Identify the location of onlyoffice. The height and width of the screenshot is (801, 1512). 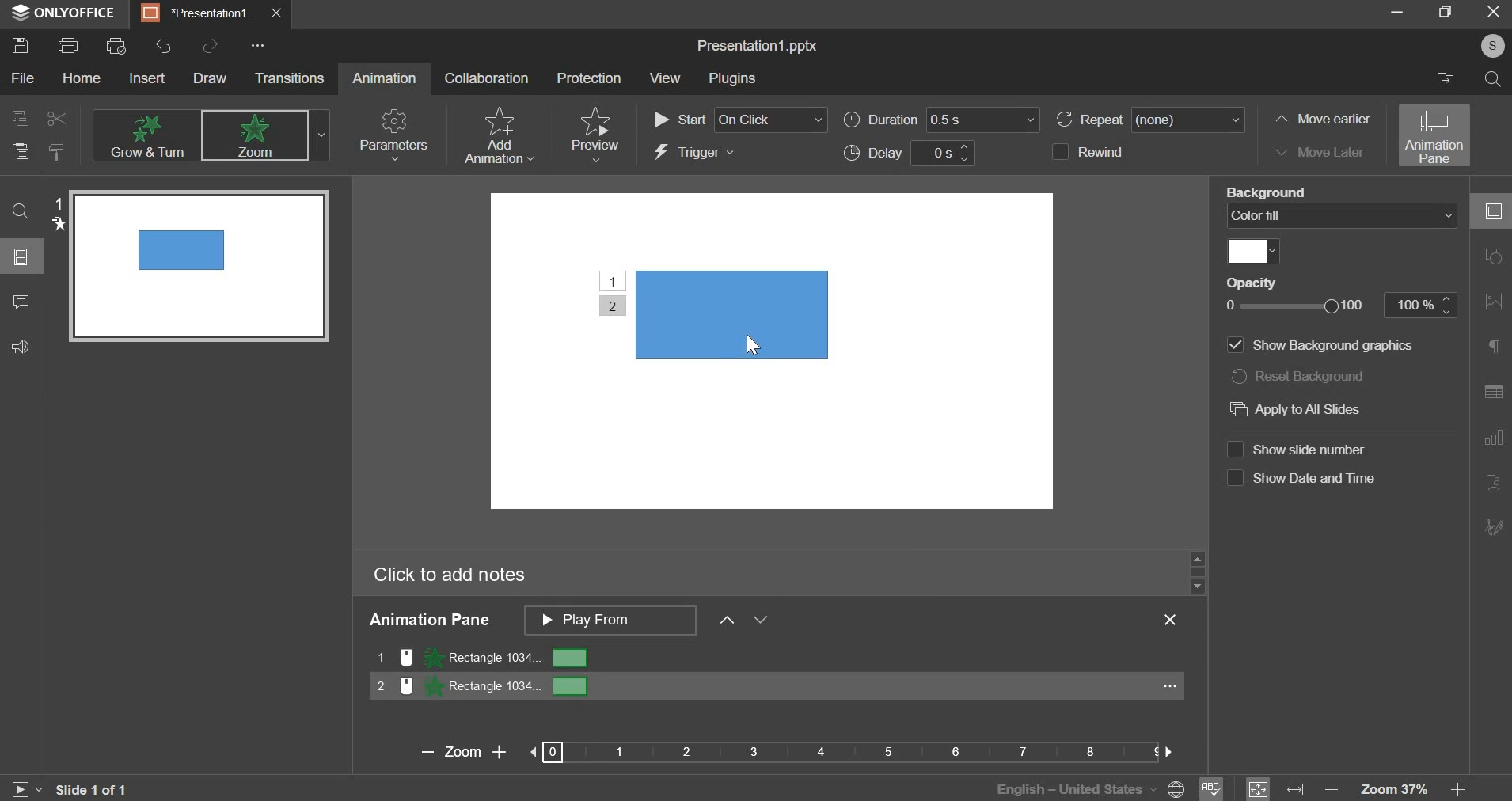
(63, 13).